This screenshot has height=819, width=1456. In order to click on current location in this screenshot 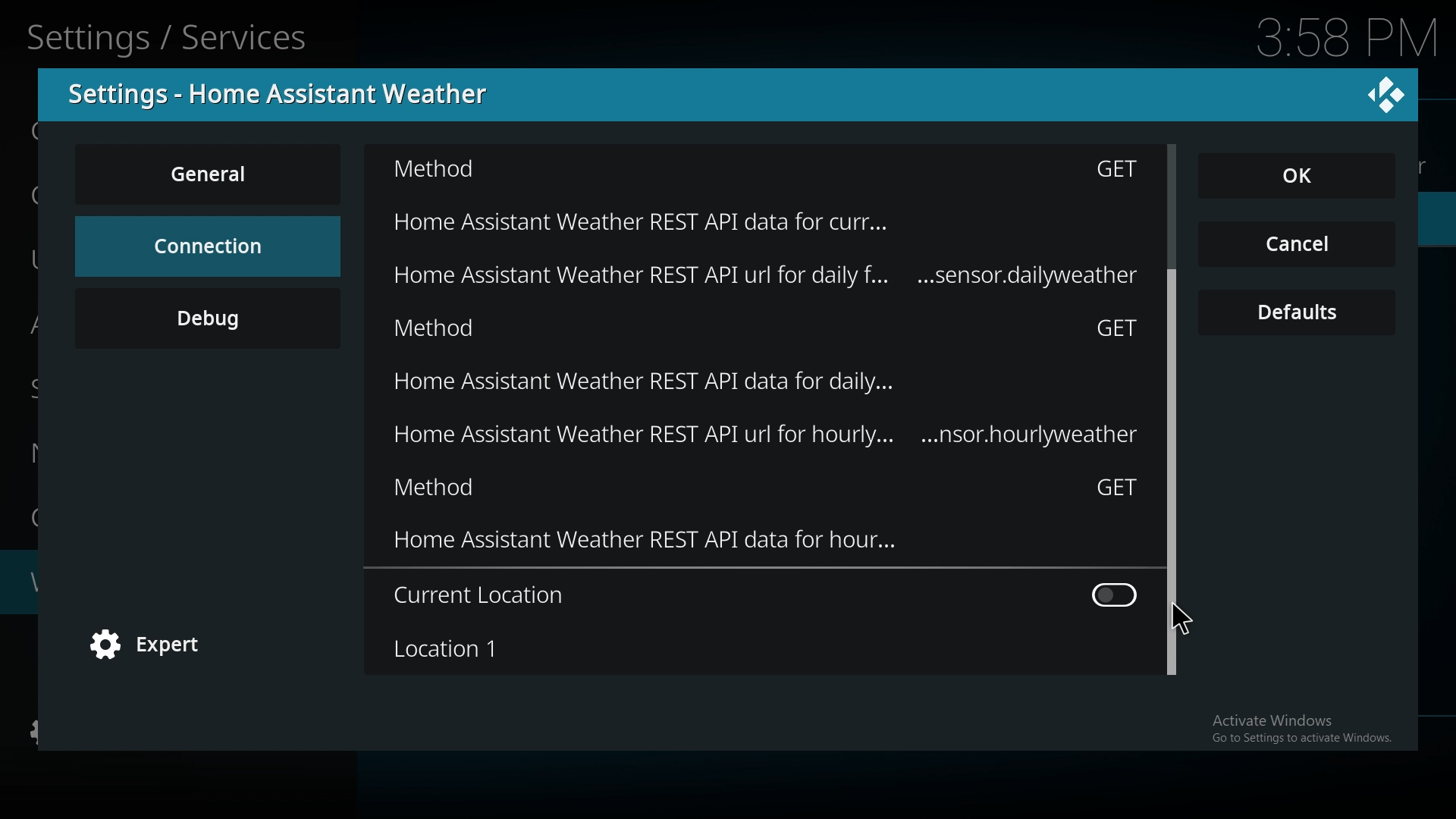, I will do `click(764, 595)`.